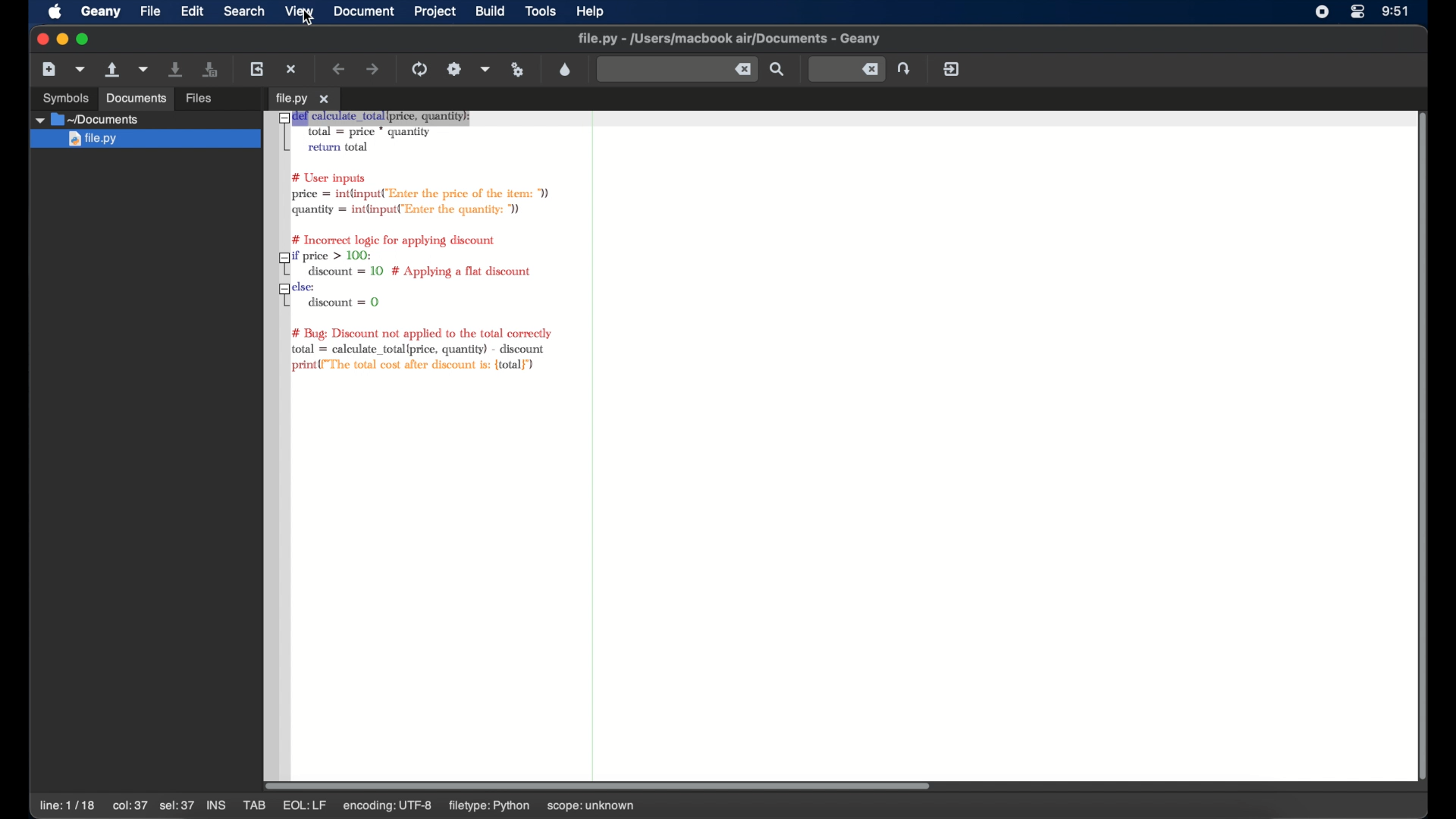  What do you see at coordinates (777, 70) in the screenshot?
I see `find the entered text in current file` at bounding box center [777, 70].